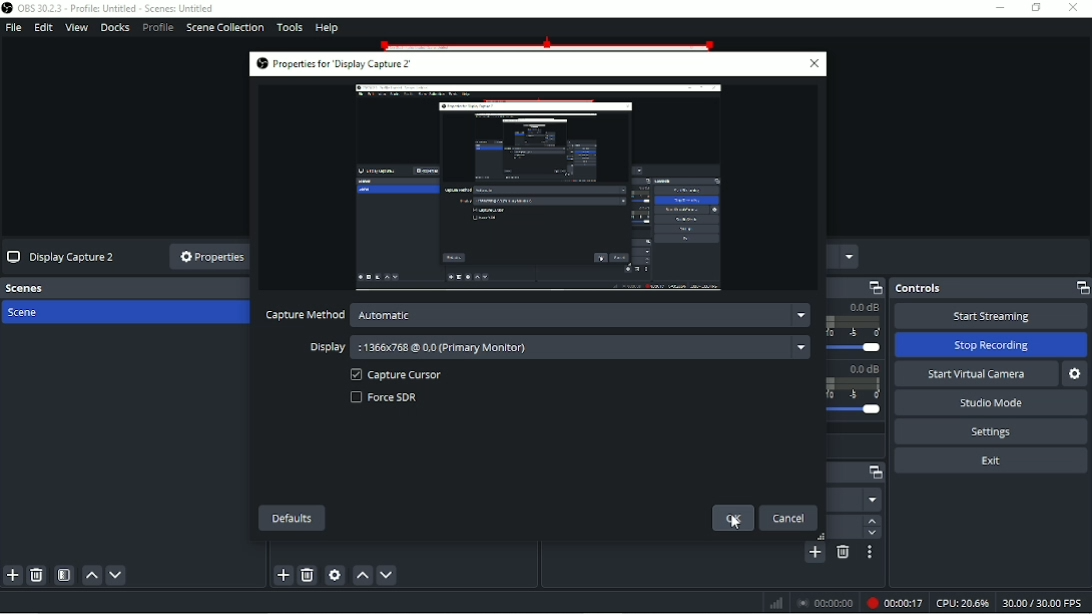 Image resolution: width=1092 pixels, height=614 pixels. What do you see at coordinates (579, 316) in the screenshot?
I see `Automatic` at bounding box center [579, 316].